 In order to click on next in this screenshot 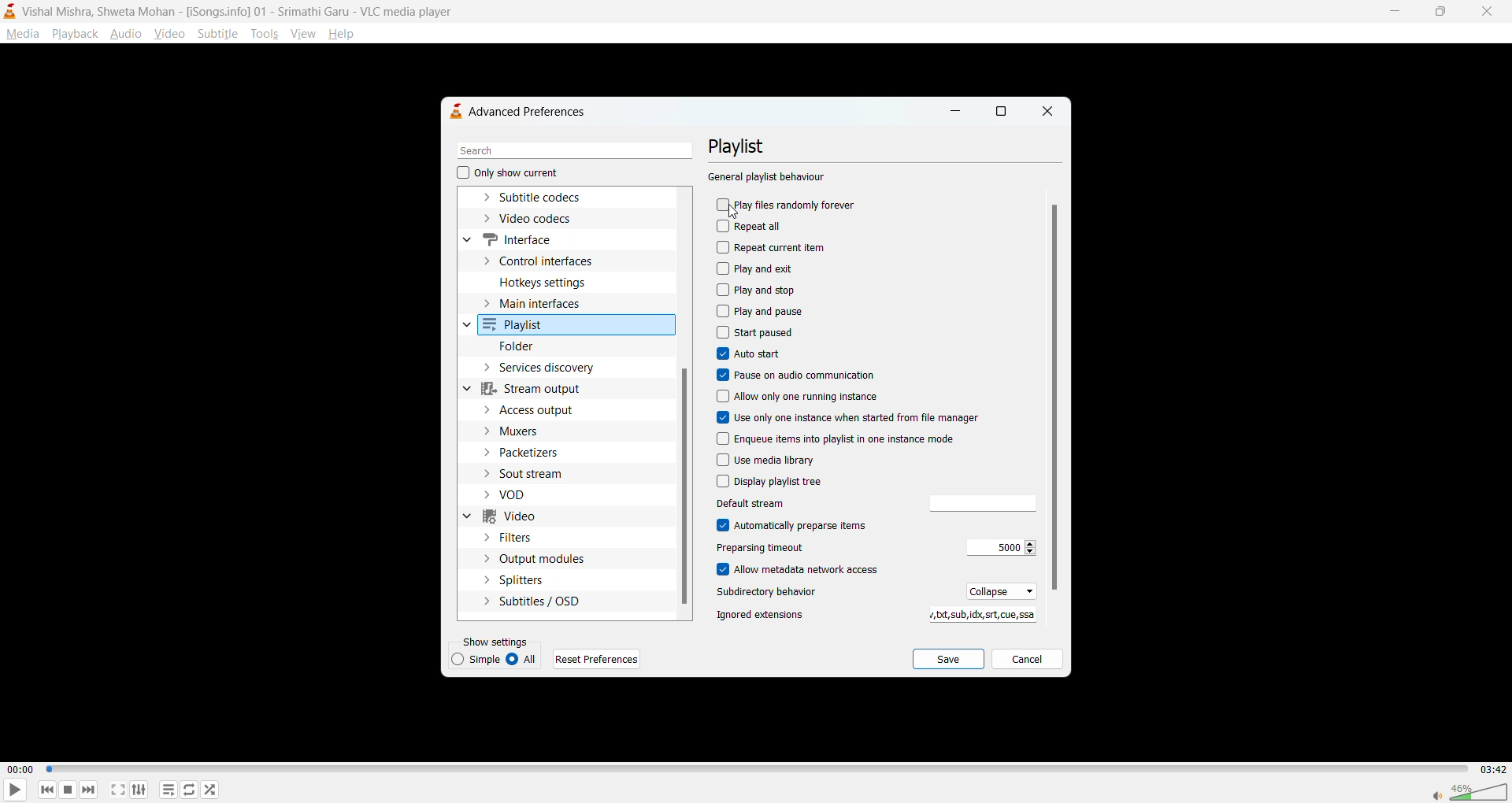, I will do `click(87, 787)`.